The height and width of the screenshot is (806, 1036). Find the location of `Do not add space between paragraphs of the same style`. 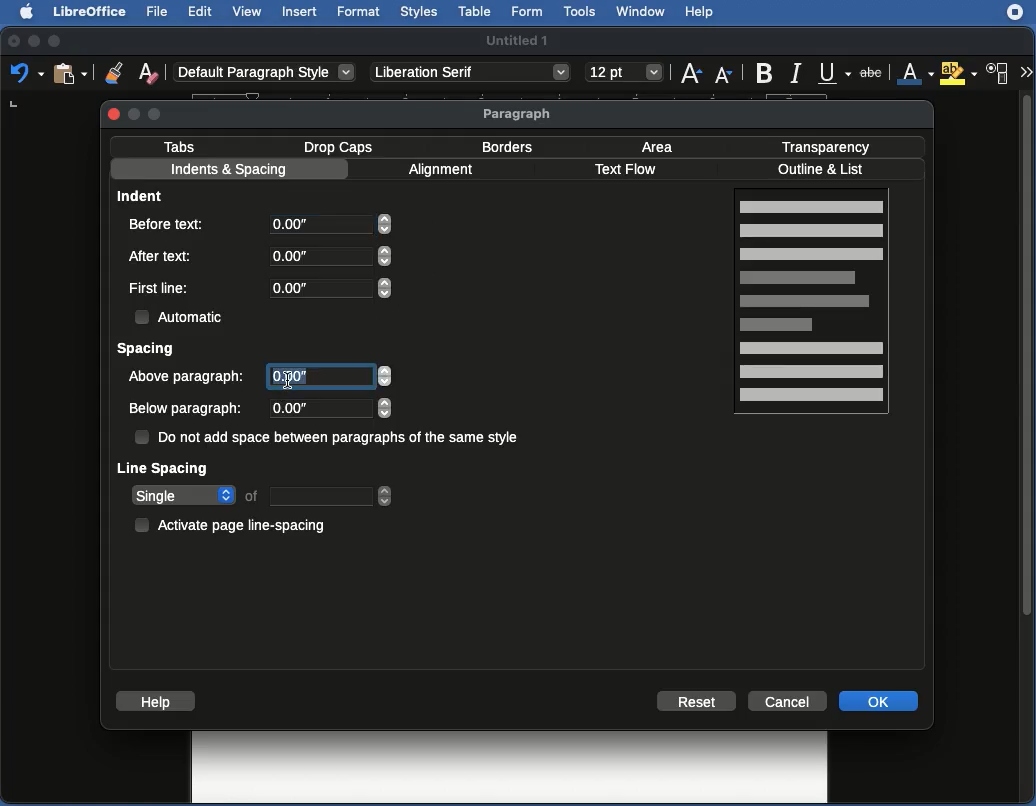

Do not add space between paragraphs of the same style is located at coordinates (330, 439).